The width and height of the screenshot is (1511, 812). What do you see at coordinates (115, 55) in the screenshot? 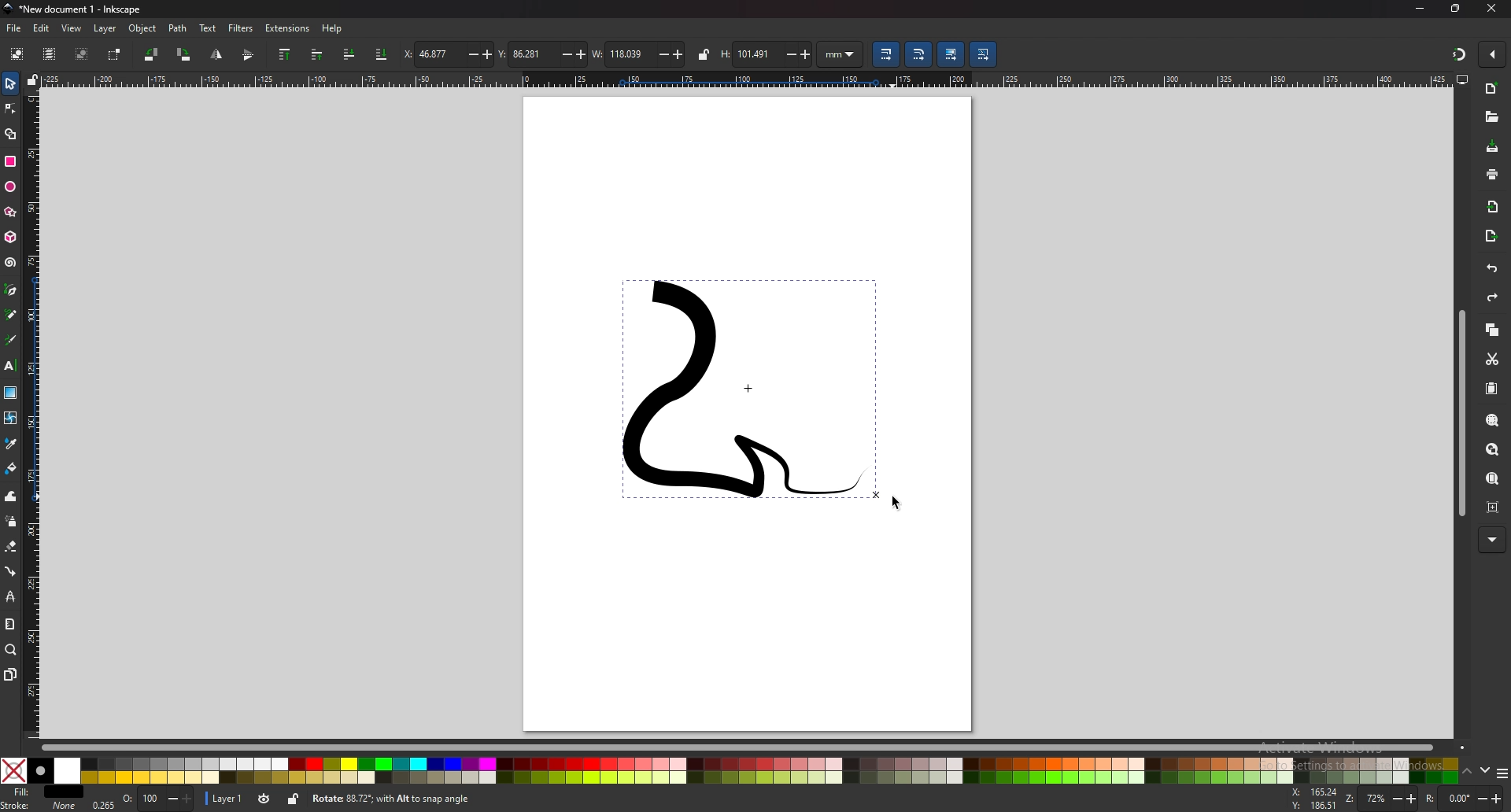
I see `toggle selection box` at bounding box center [115, 55].